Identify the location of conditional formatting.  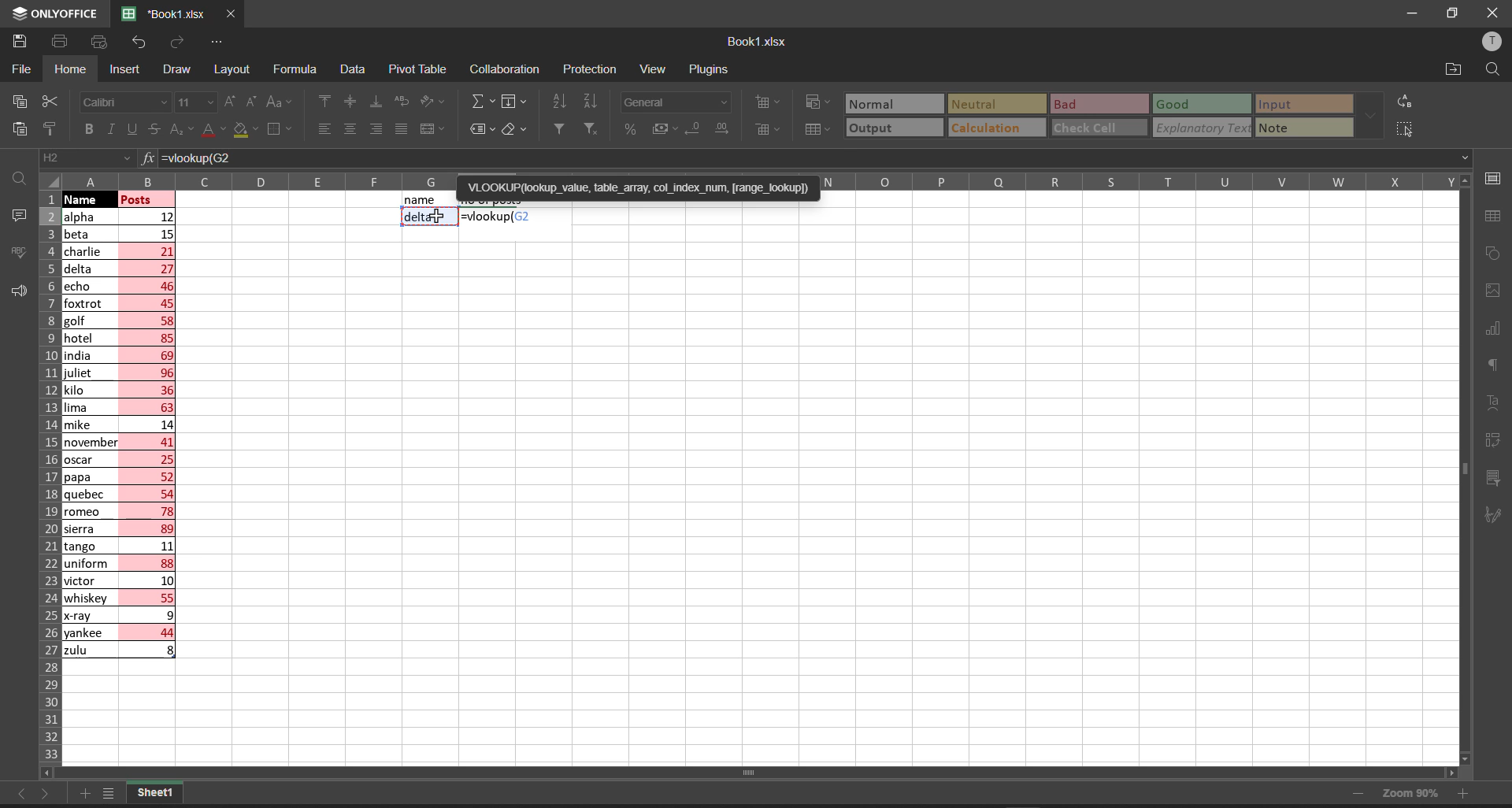
(817, 101).